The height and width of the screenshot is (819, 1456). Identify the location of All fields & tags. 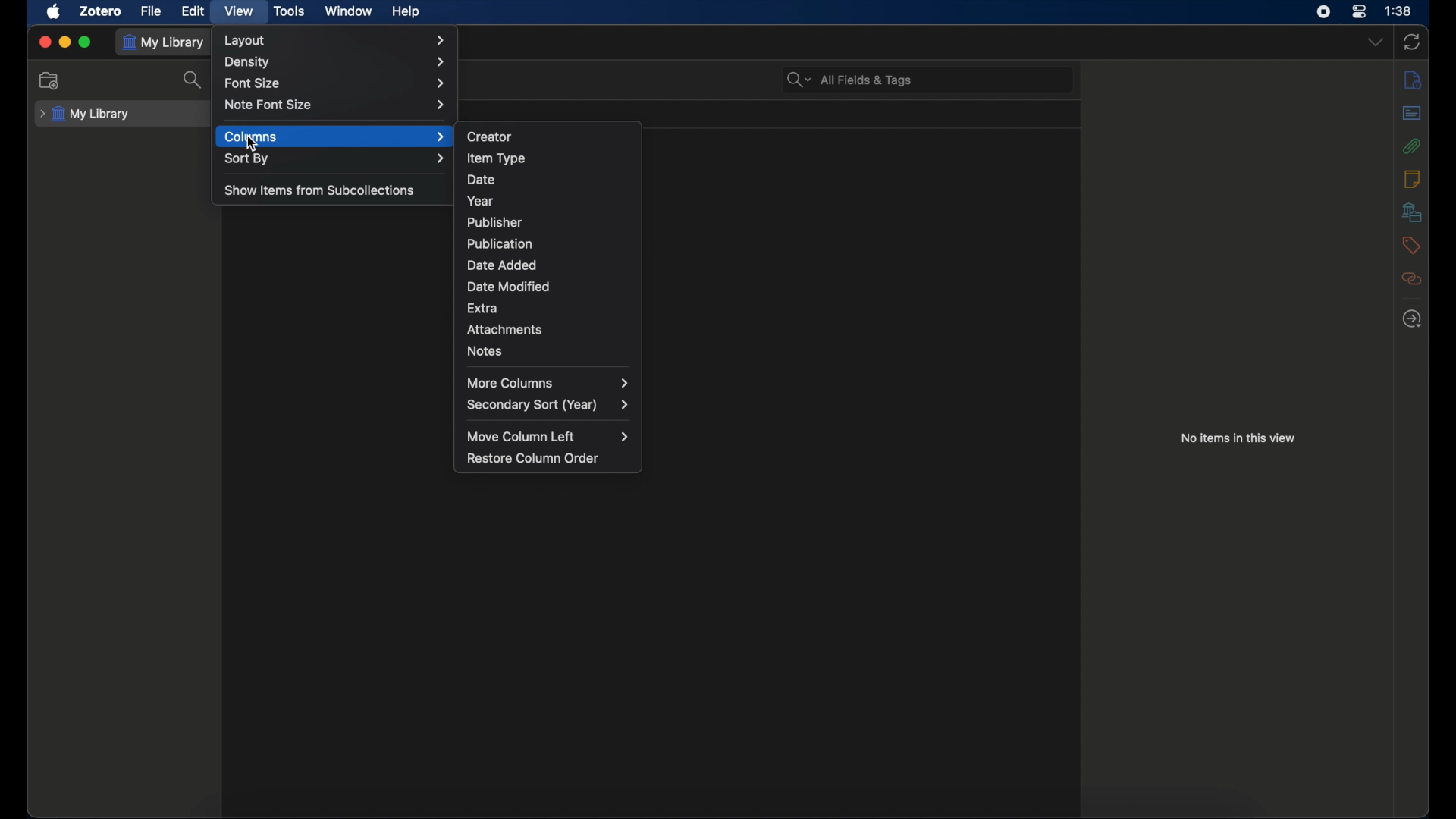
(855, 79).